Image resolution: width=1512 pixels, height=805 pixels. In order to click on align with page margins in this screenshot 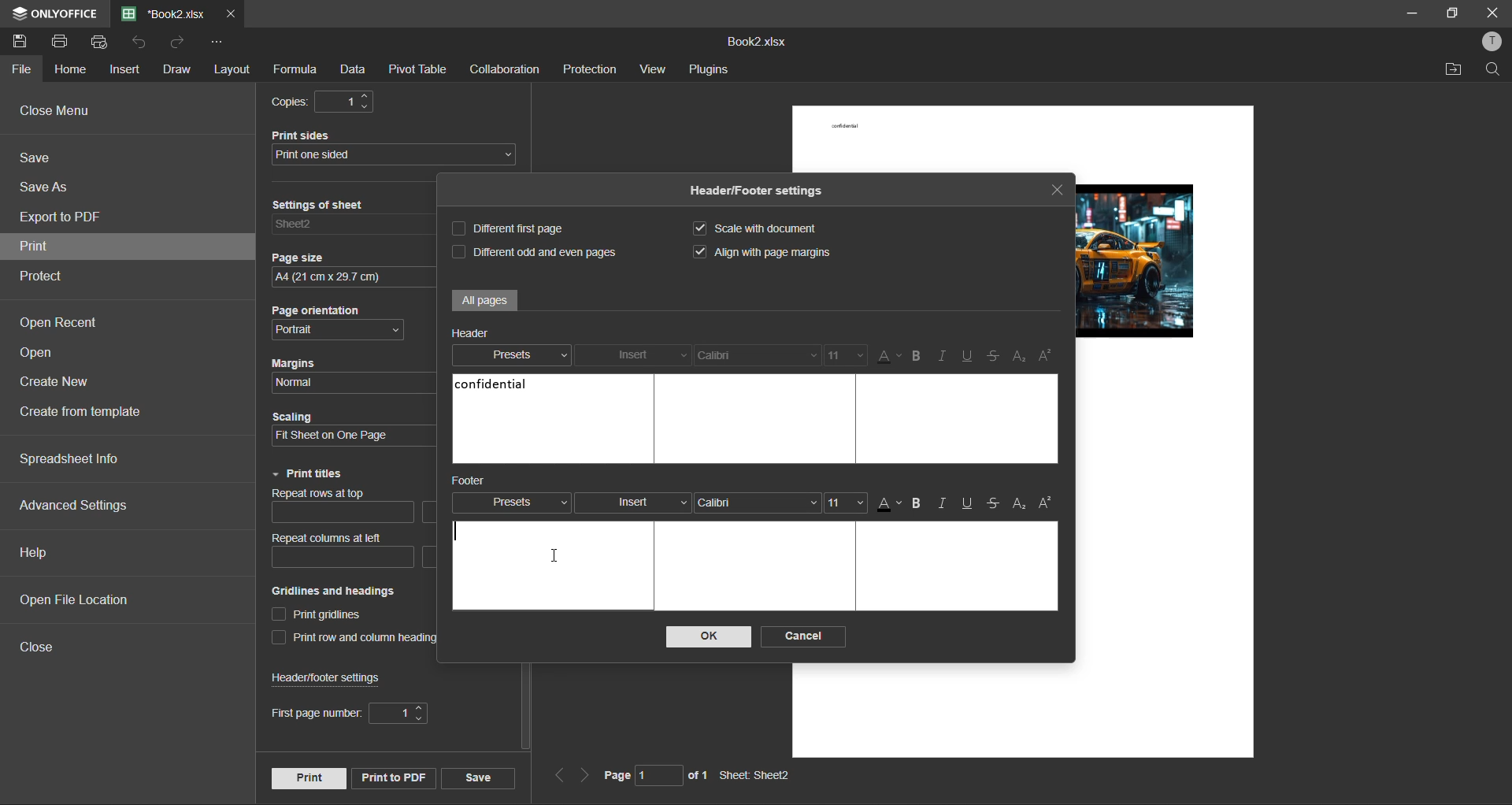, I will do `click(762, 250)`.